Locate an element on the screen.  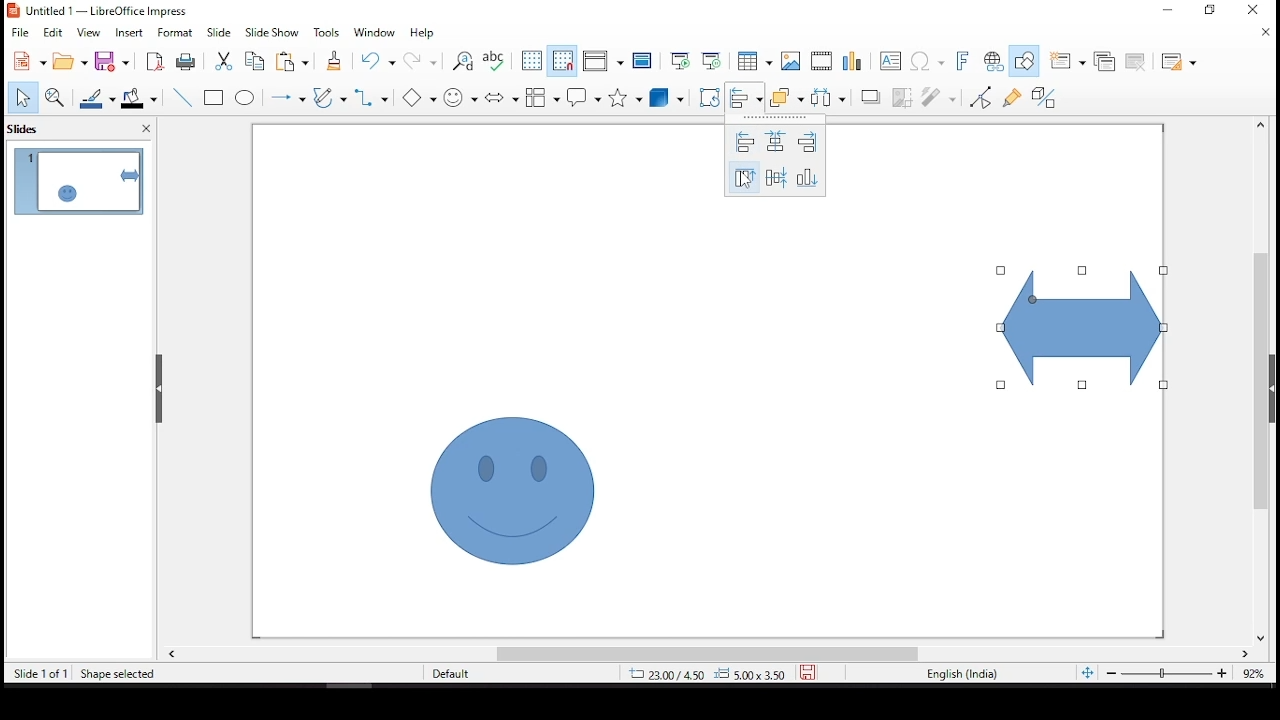
lines and arrows is located at coordinates (287, 97).